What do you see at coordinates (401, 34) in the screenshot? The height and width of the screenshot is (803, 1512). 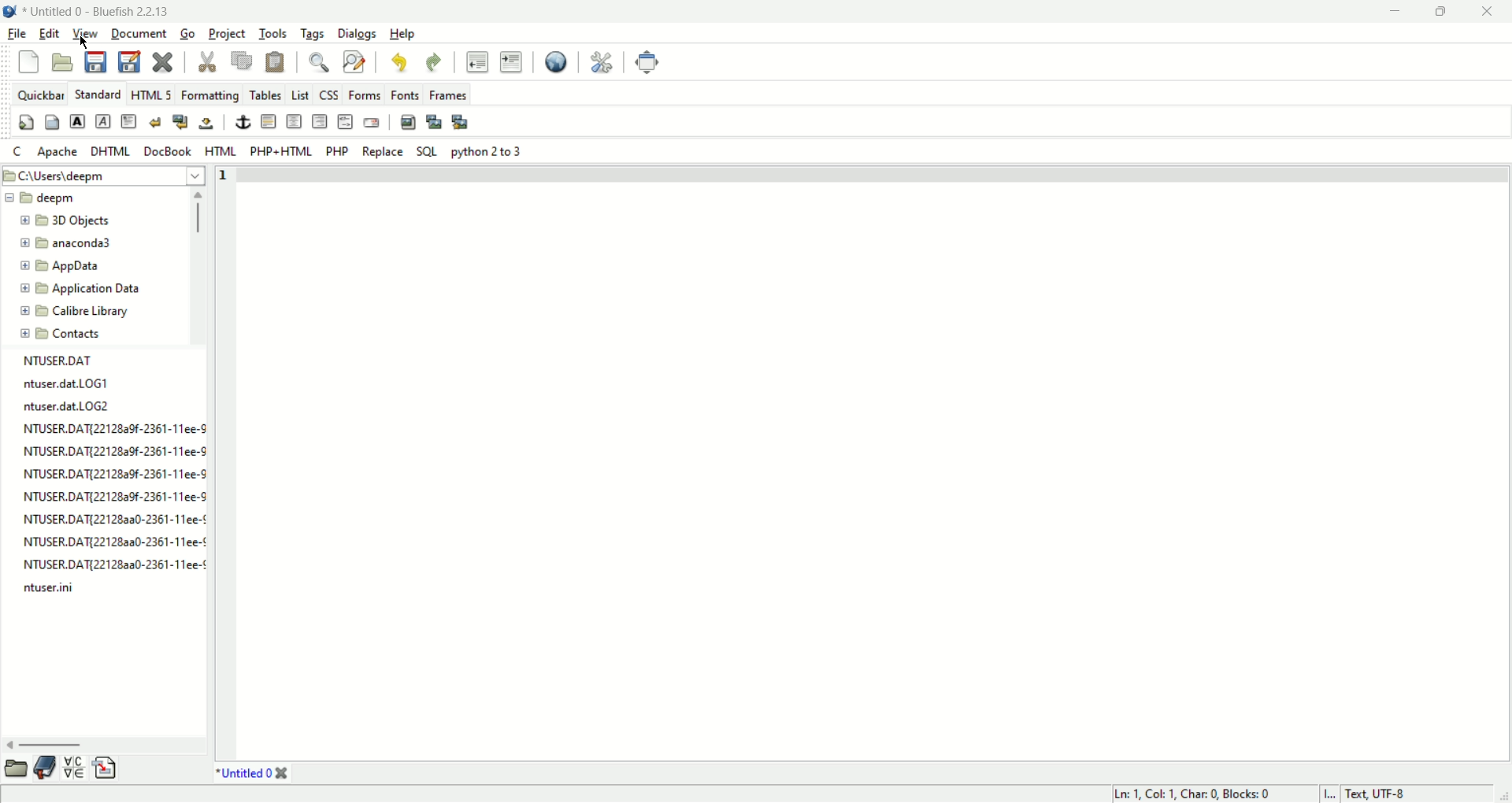 I see `help` at bounding box center [401, 34].